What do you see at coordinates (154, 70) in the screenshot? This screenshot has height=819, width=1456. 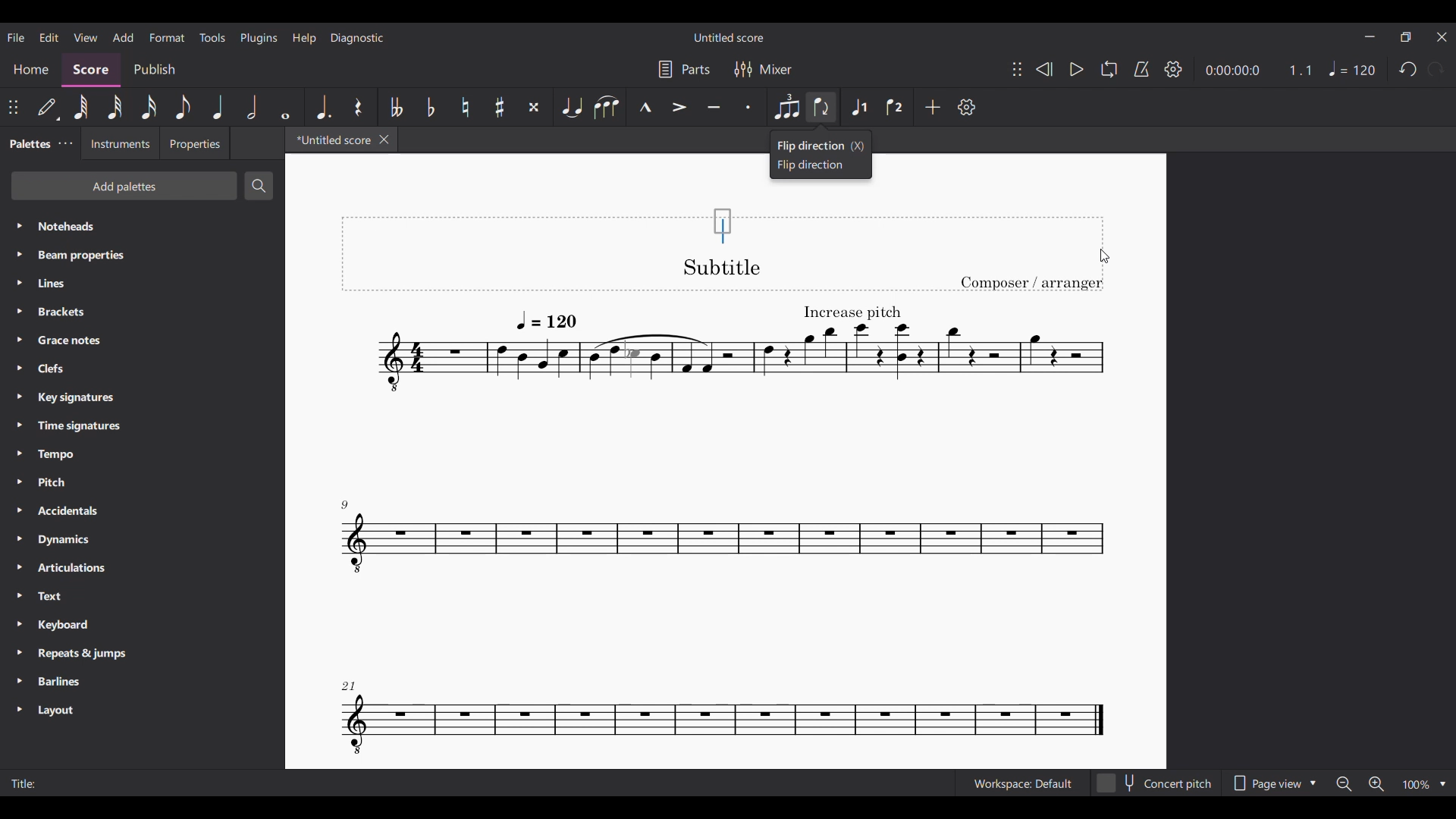 I see `Publish section` at bounding box center [154, 70].